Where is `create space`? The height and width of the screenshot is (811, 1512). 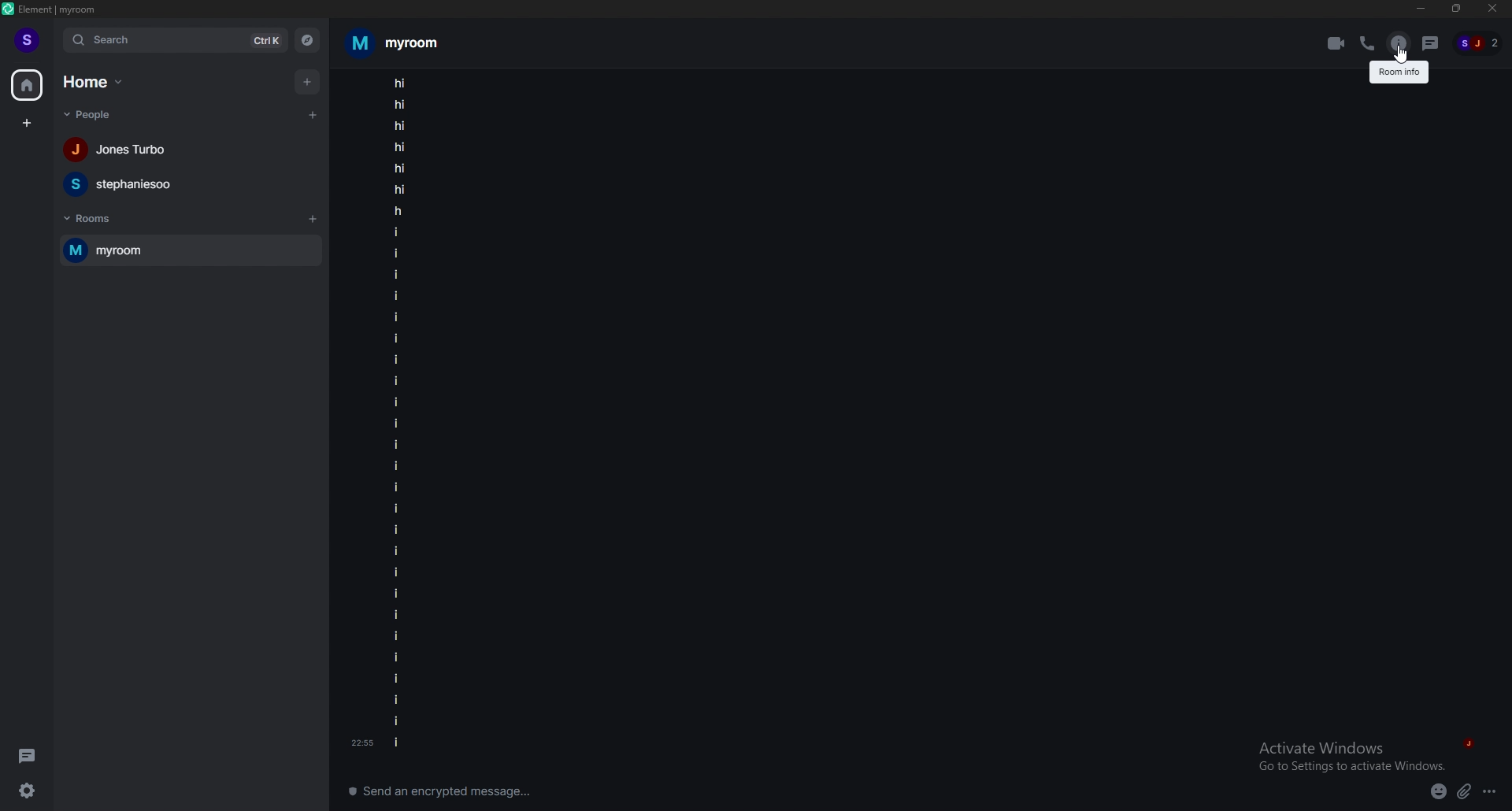
create space is located at coordinates (26, 123).